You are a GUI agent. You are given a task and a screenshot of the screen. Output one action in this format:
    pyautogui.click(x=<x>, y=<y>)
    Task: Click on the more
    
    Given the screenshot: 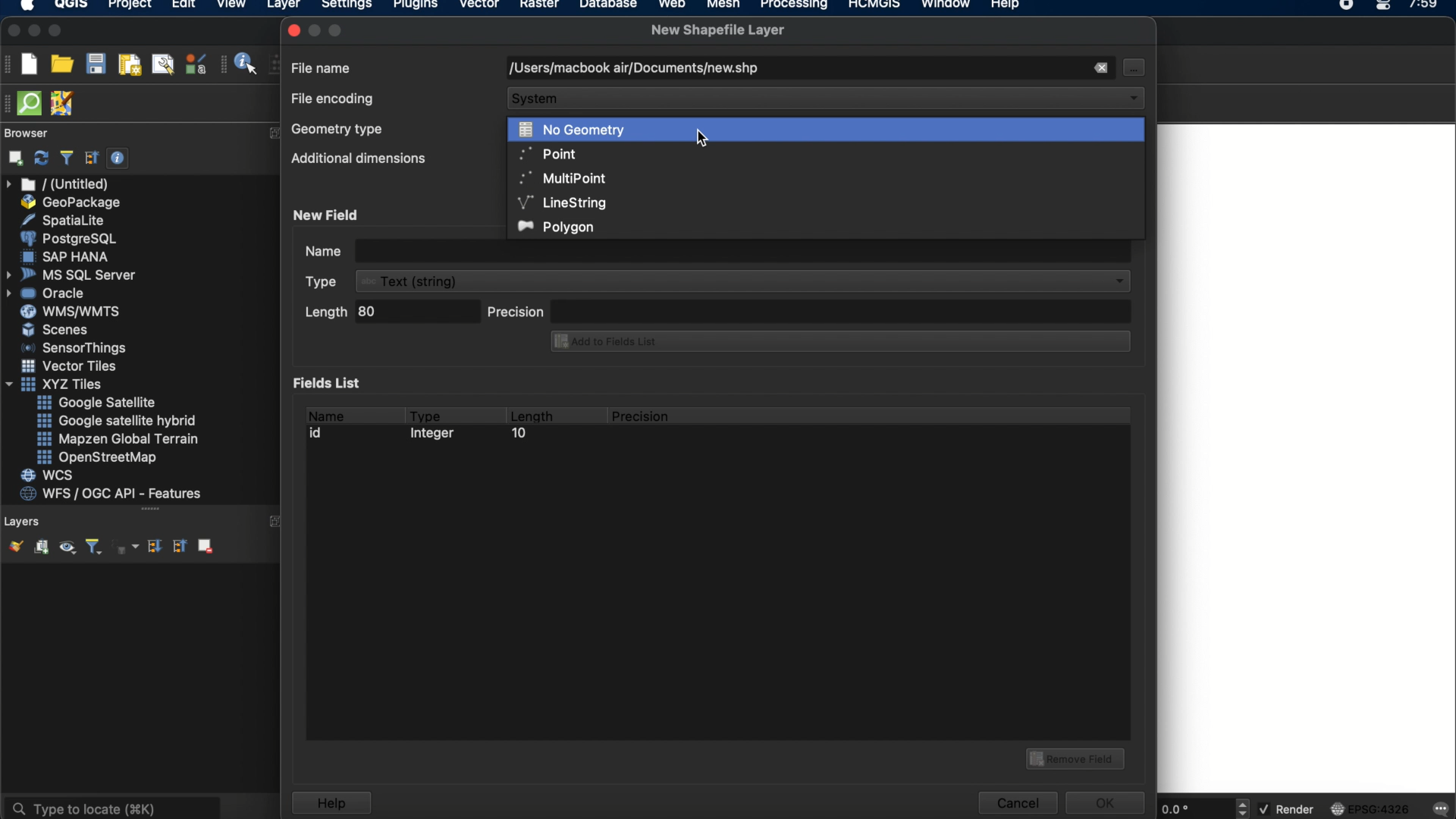 What is the action you would take?
    pyautogui.click(x=150, y=508)
    